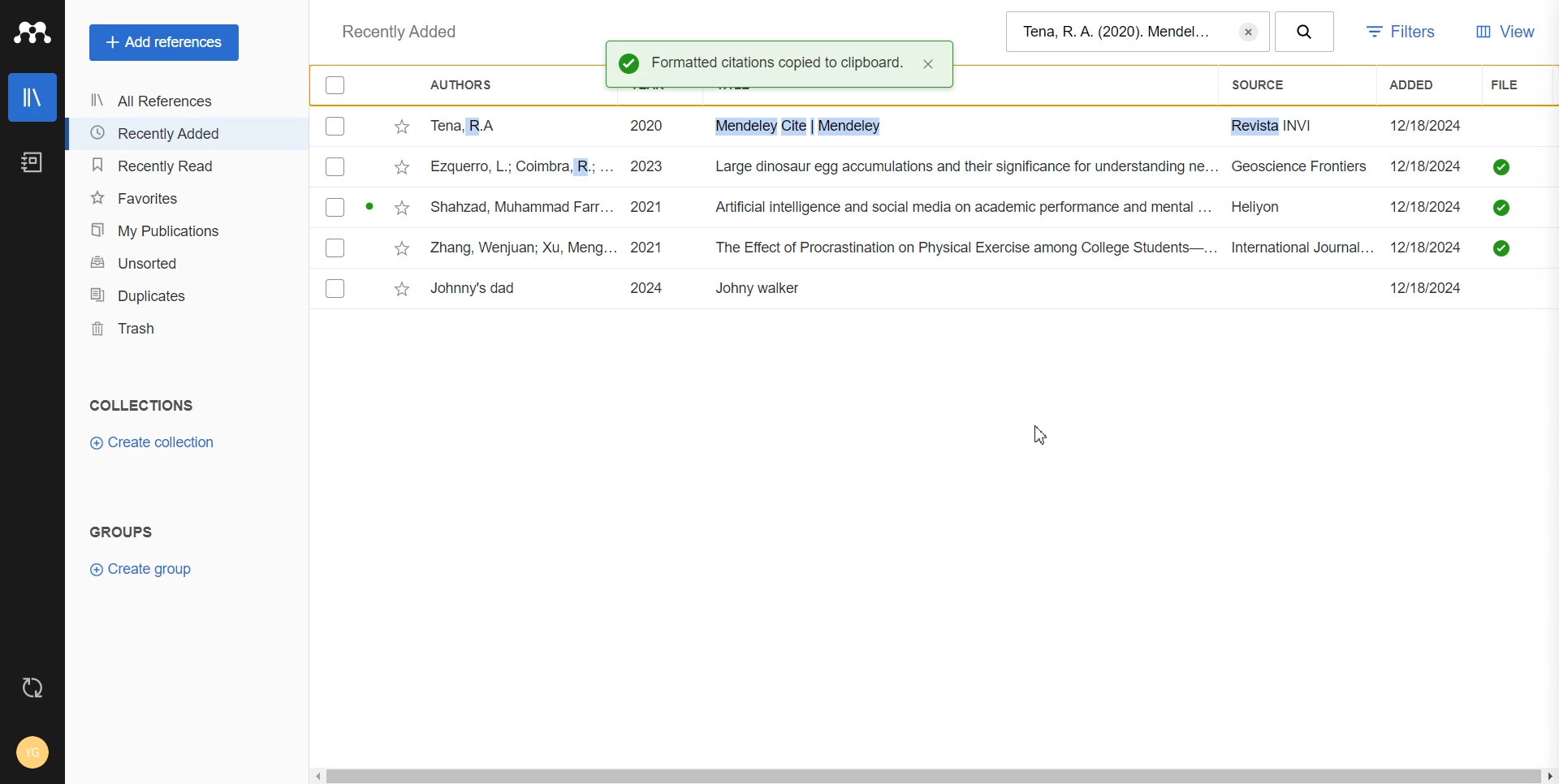 Image resolution: width=1559 pixels, height=784 pixels. I want to click on Recently Added, so click(183, 133).